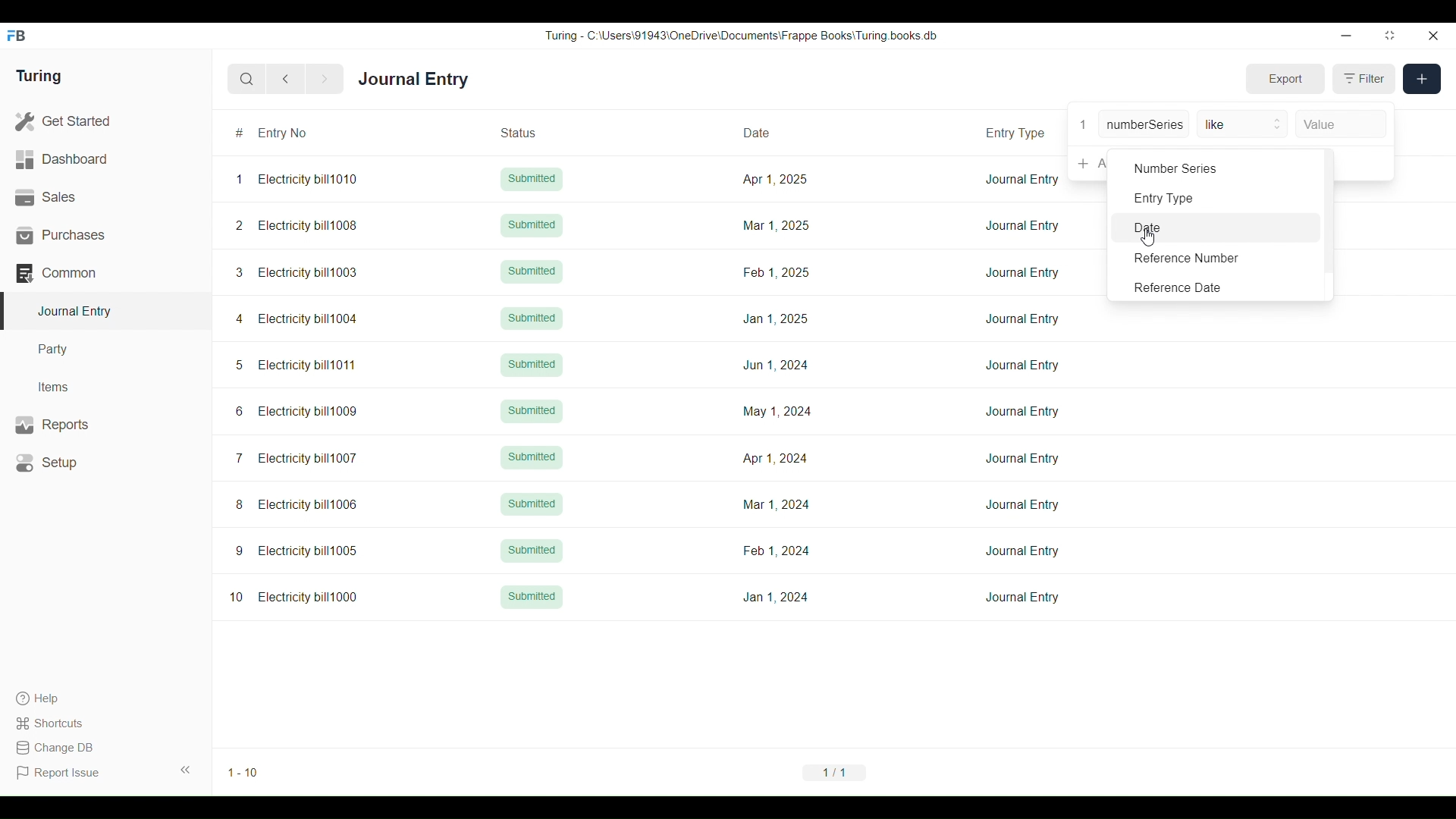 This screenshot has width=1456, height=819. I want to click on Submitted, so click(532, 412).